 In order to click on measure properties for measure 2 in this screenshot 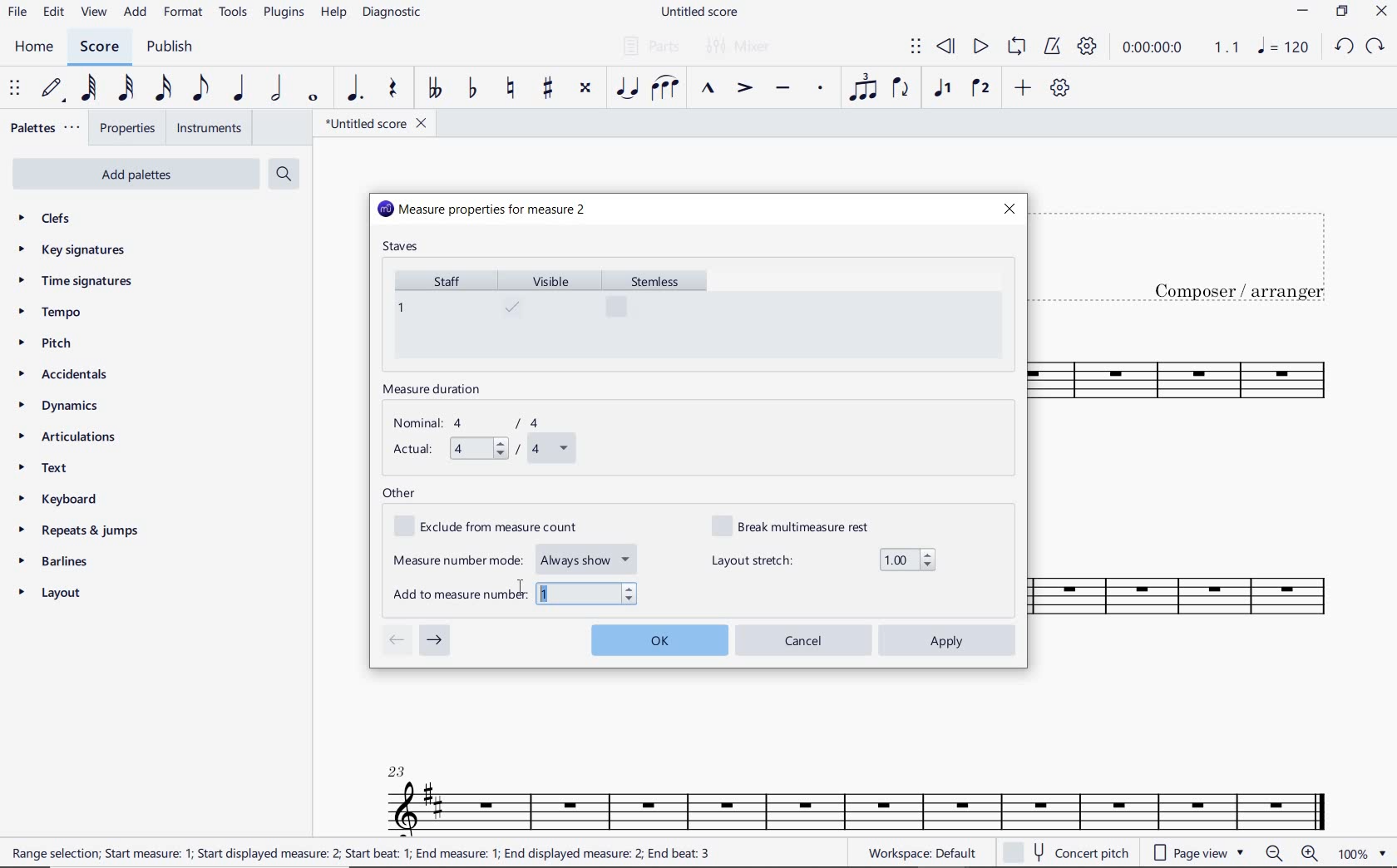, I will do `click(483, 210)`.